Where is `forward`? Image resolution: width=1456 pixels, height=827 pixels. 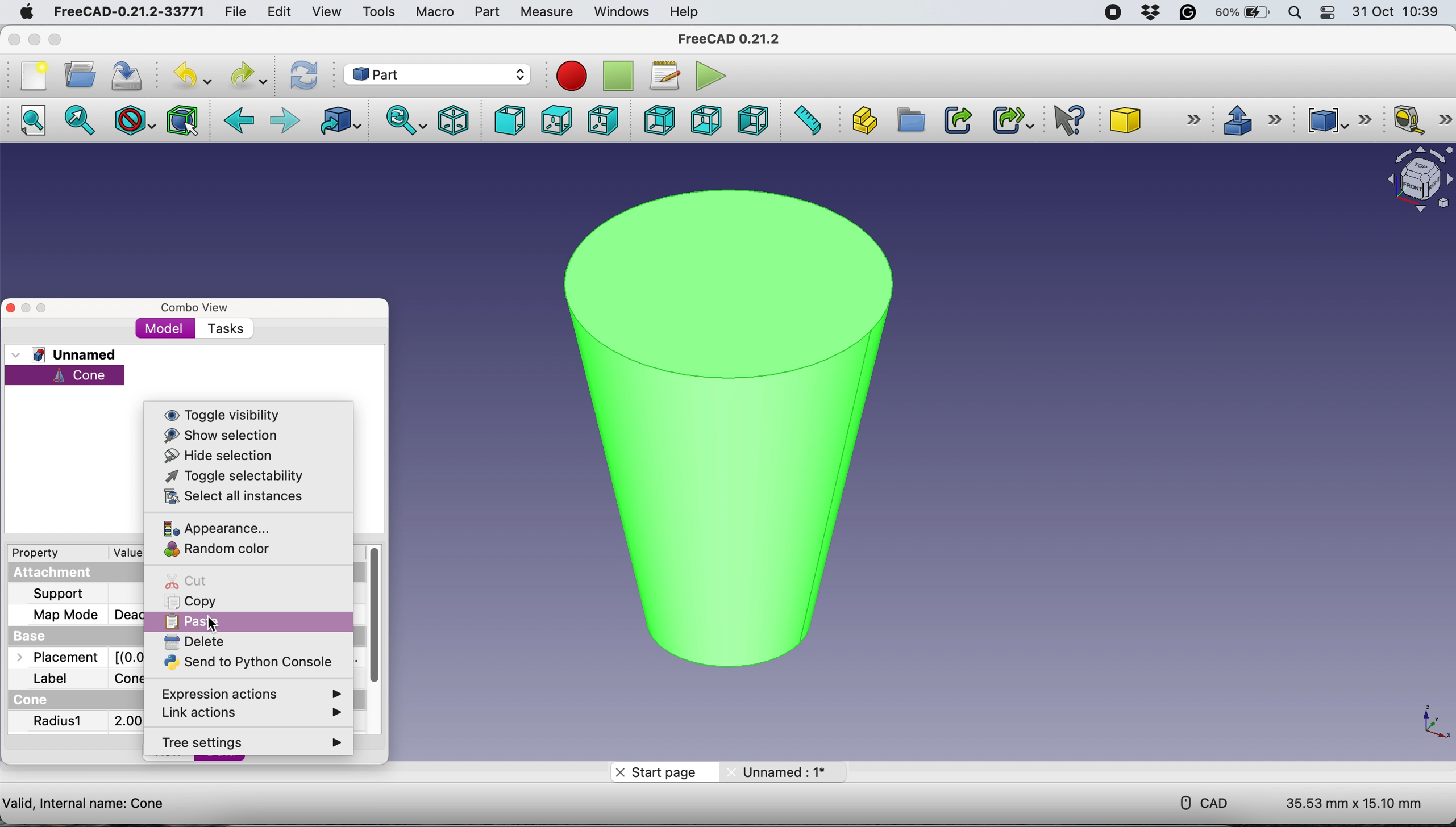 forward is located at coordinates (284, 121).